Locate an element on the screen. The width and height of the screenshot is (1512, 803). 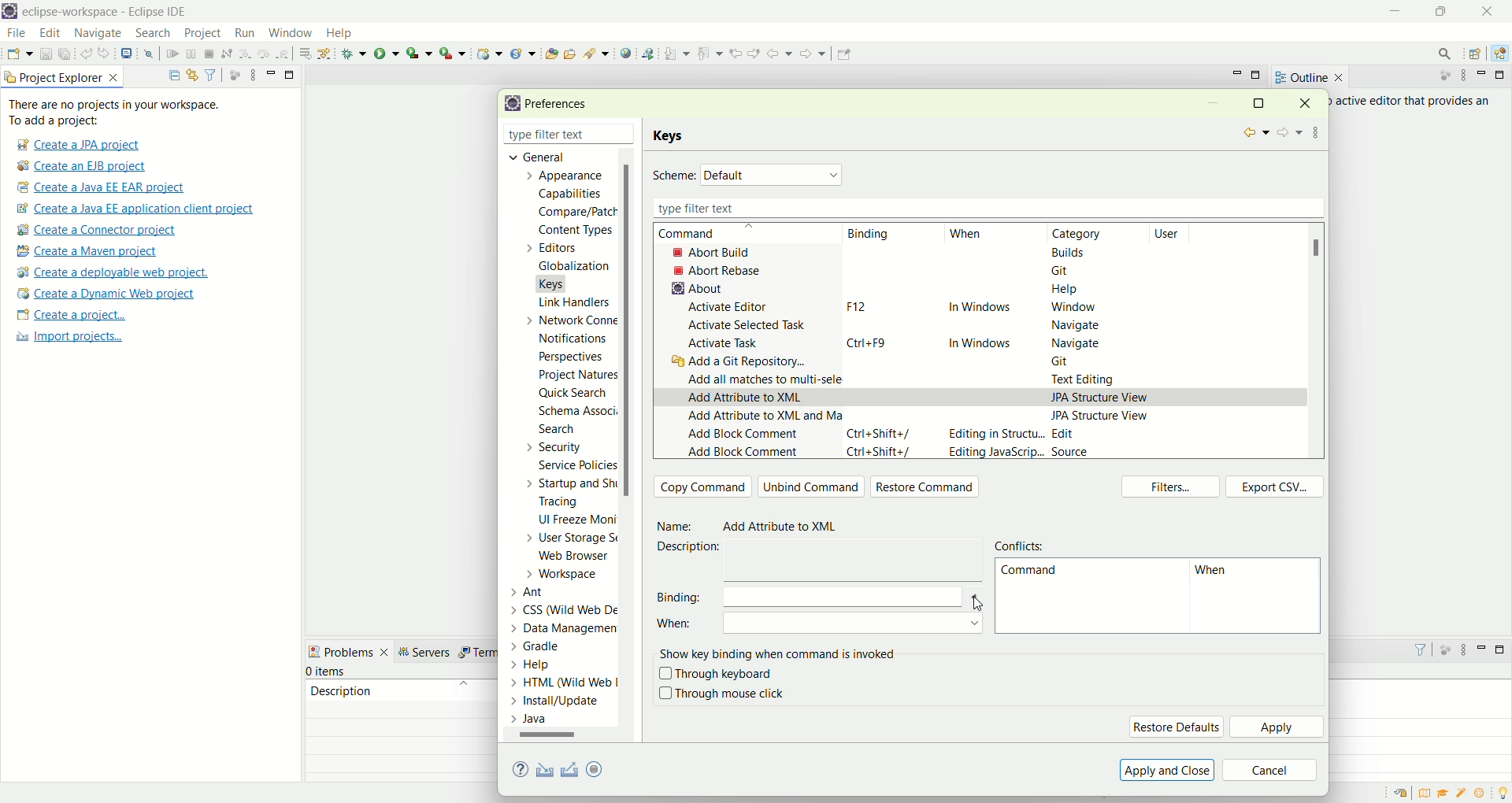
create a deployable web project is located at coordinates (113, 273).